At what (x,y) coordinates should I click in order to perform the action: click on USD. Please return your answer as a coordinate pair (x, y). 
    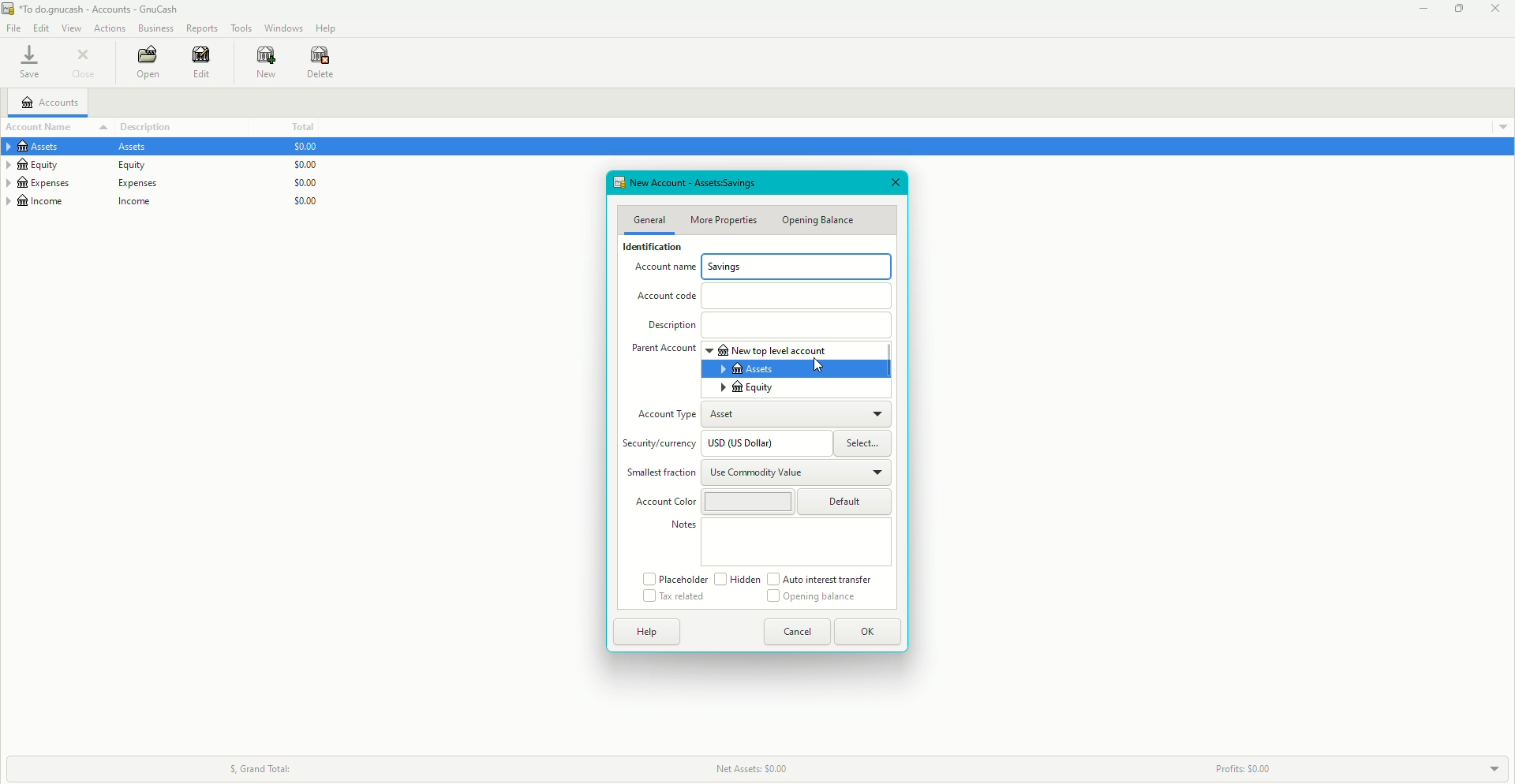
    Looking at the image, I should click on (750, 444).